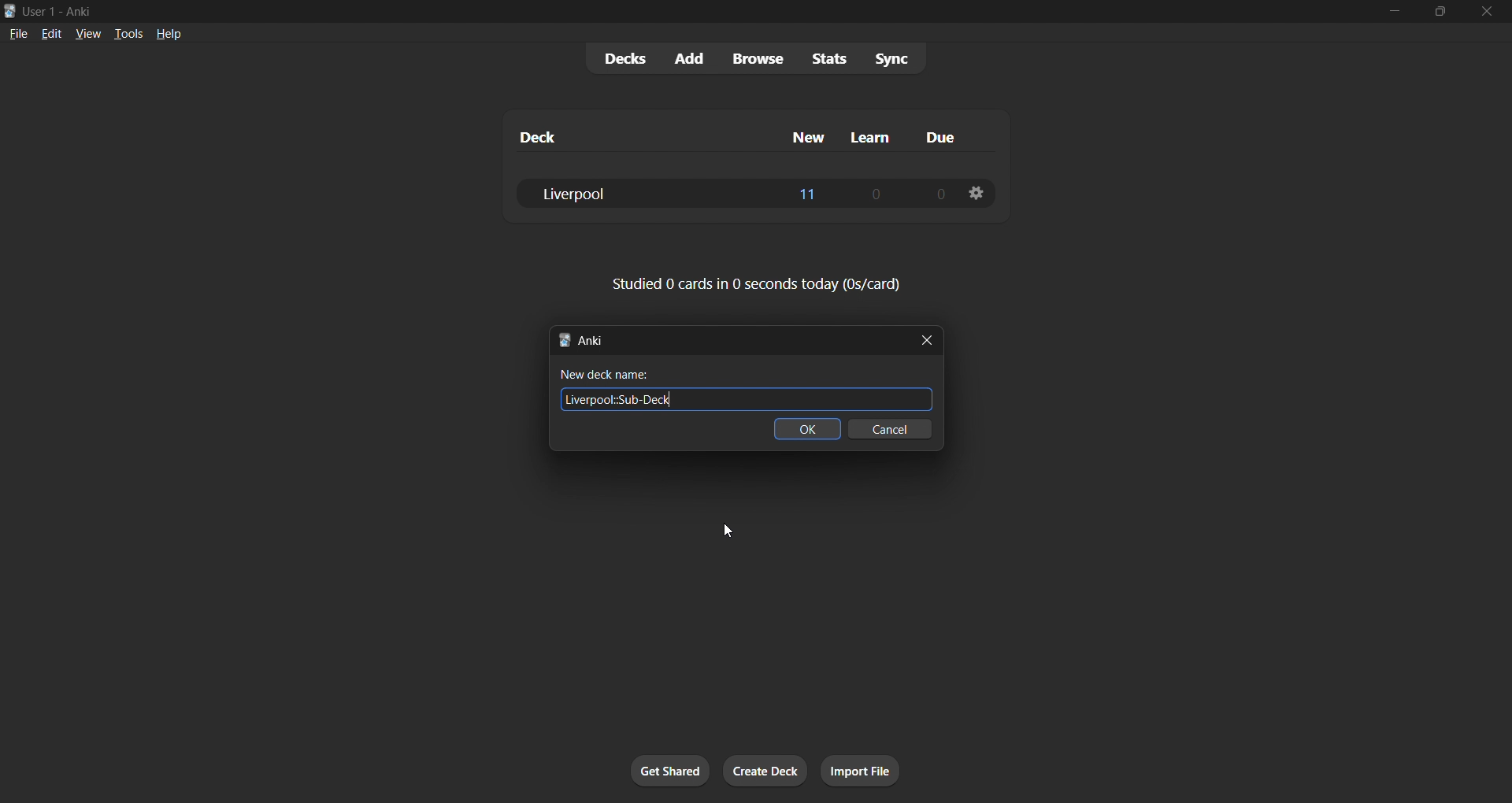 This screenshot has width=1512, height=803. What do you see at coordinates (762, 284) in the screenshot?
I see `card stats` at bounding box center [762, 284].